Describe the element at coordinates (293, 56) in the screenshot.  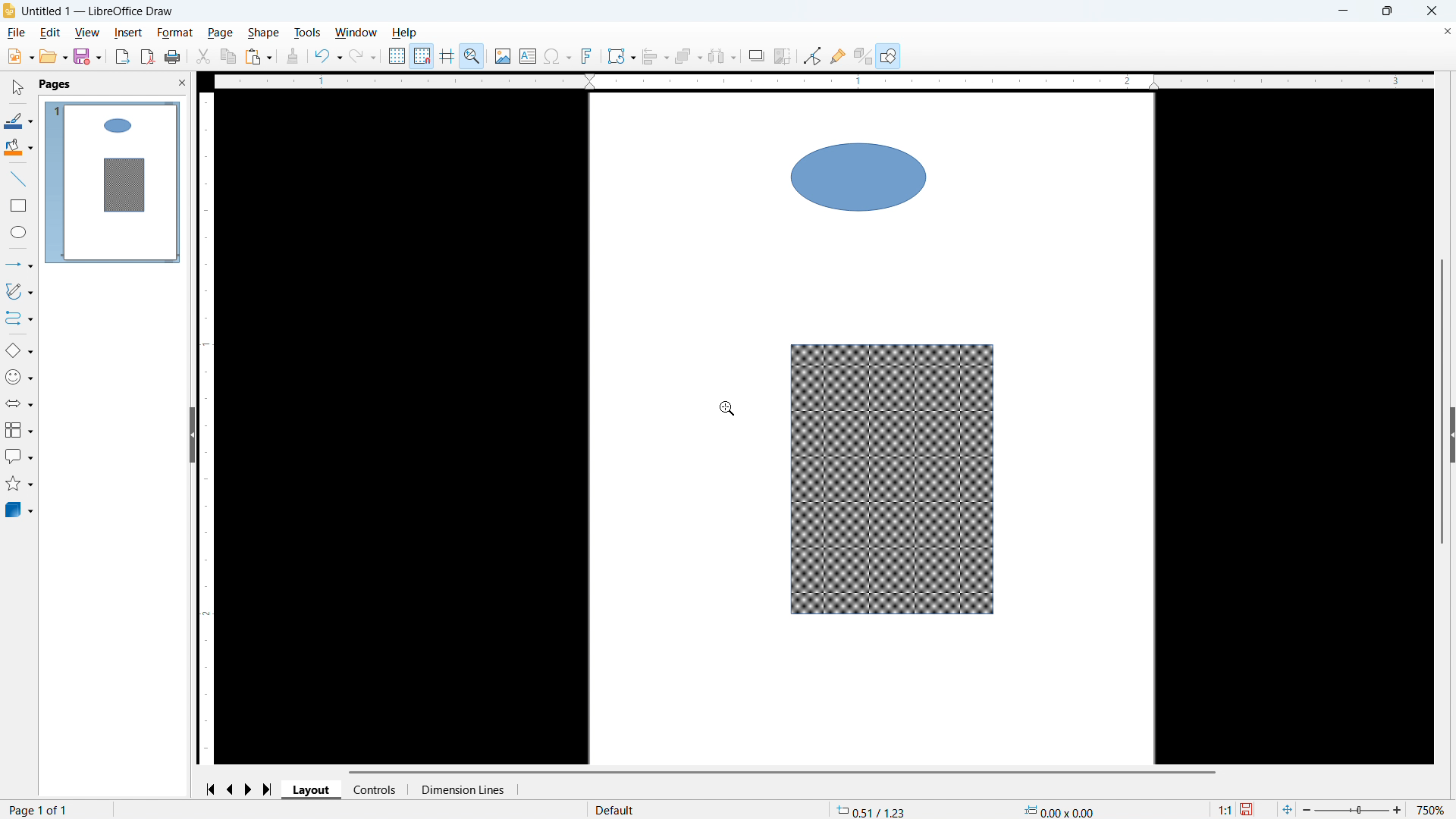
I see `Clone formatting ` at that location.